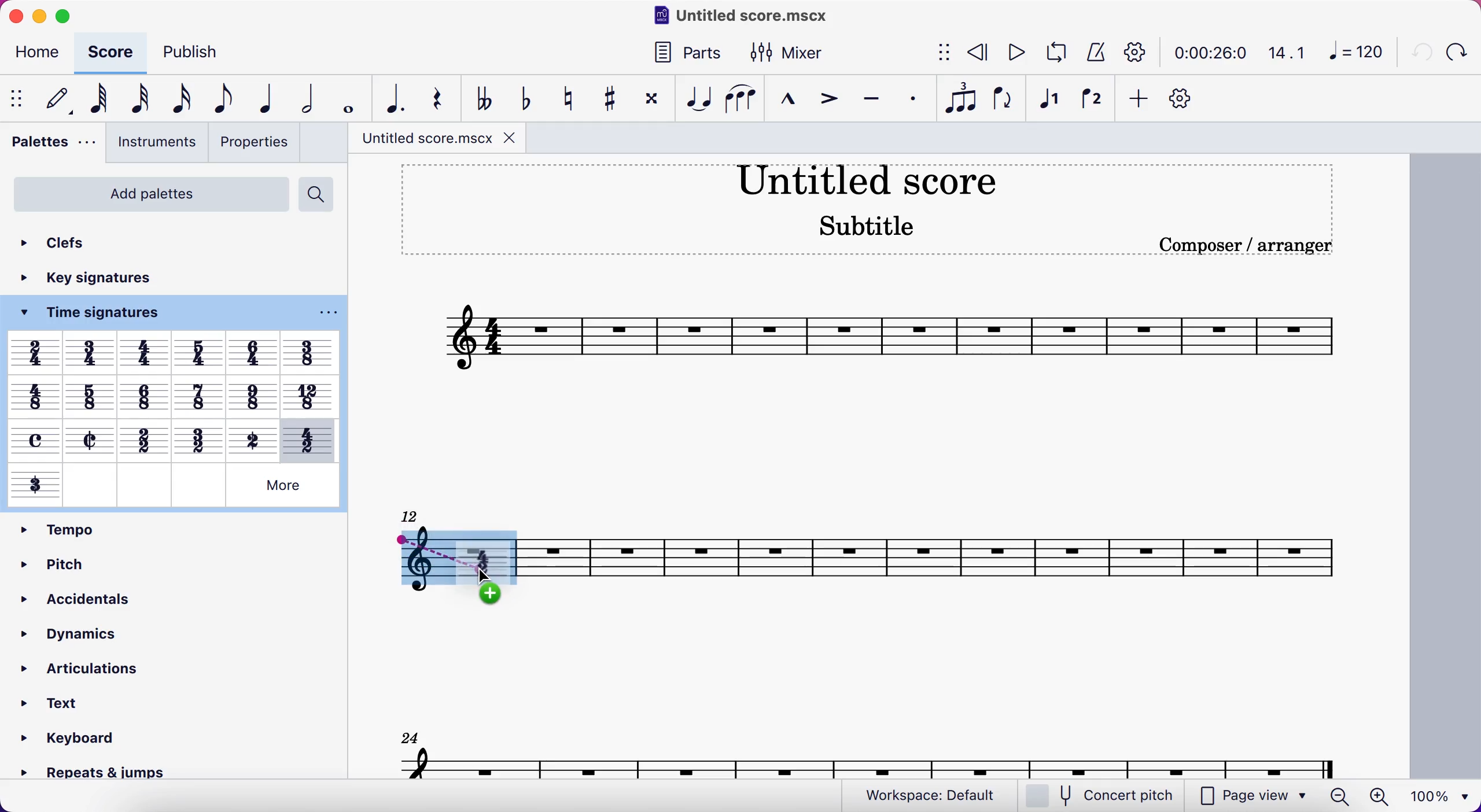  Describe the element at coordinates (93, 352) in the screenshot. I see `` at that location.